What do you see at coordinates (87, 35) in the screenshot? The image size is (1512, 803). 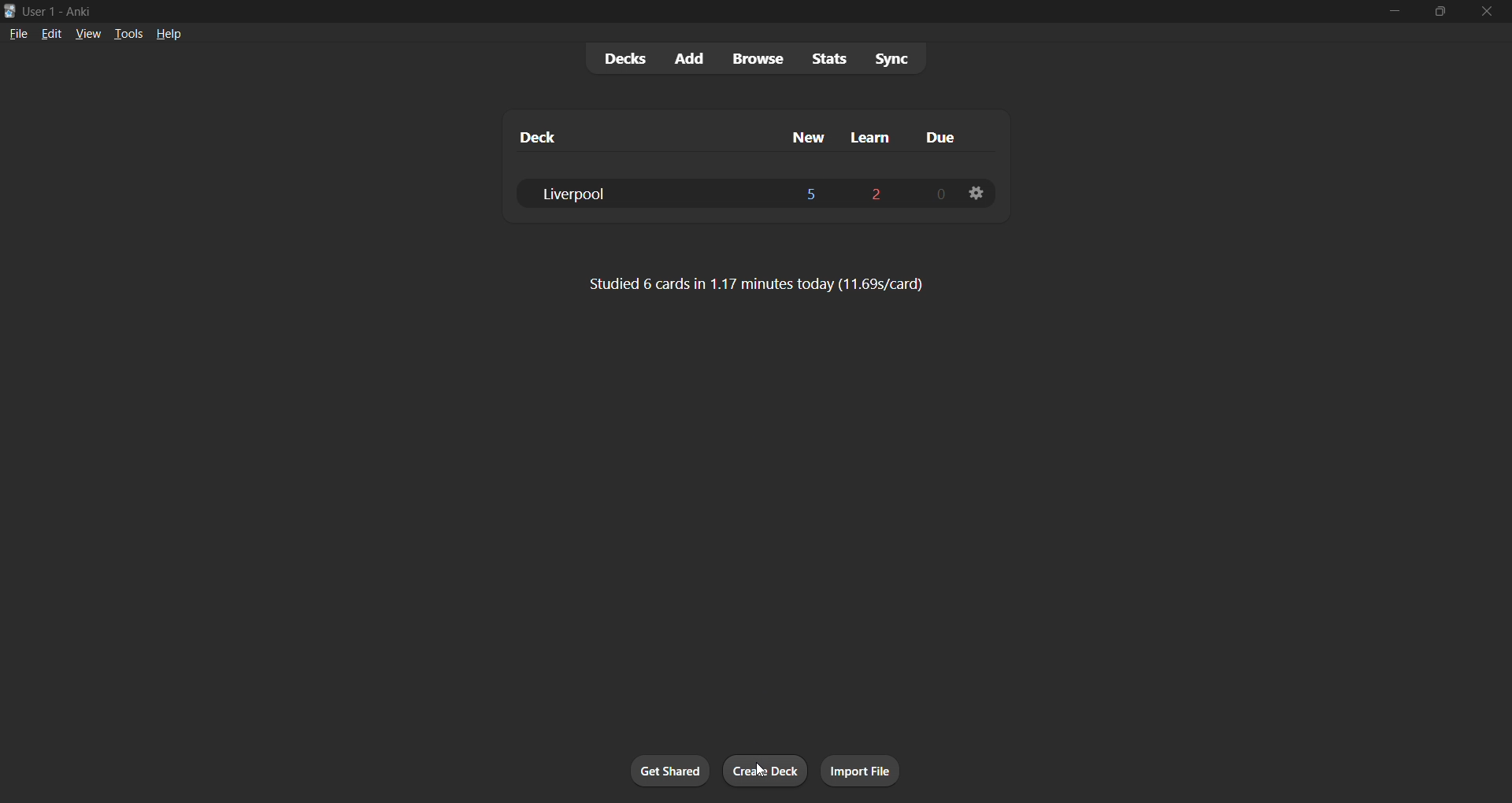 I see `view` at bounding box center [87, 35].